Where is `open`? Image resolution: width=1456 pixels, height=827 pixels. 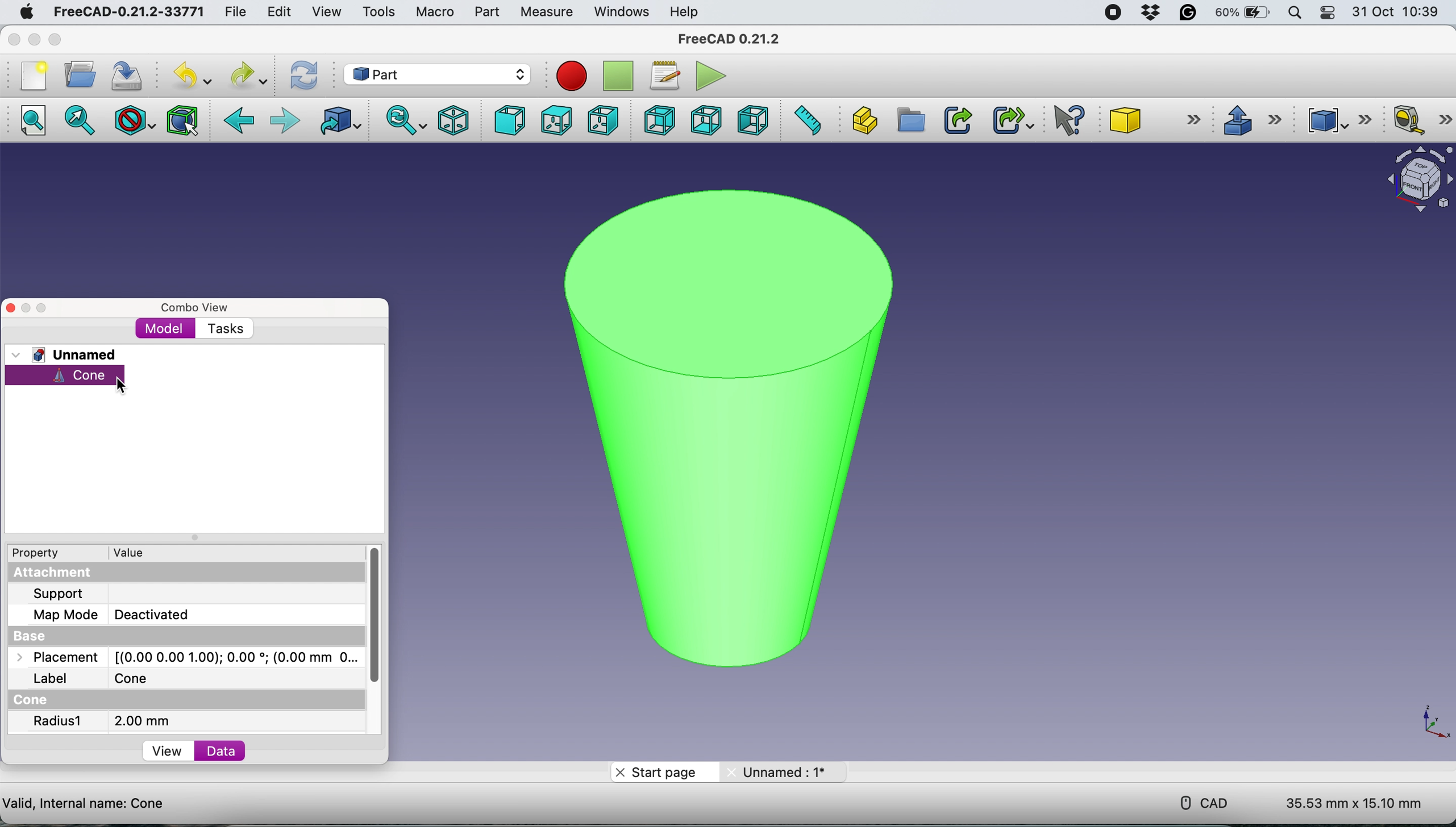
open is located at coordinates (77, 74).